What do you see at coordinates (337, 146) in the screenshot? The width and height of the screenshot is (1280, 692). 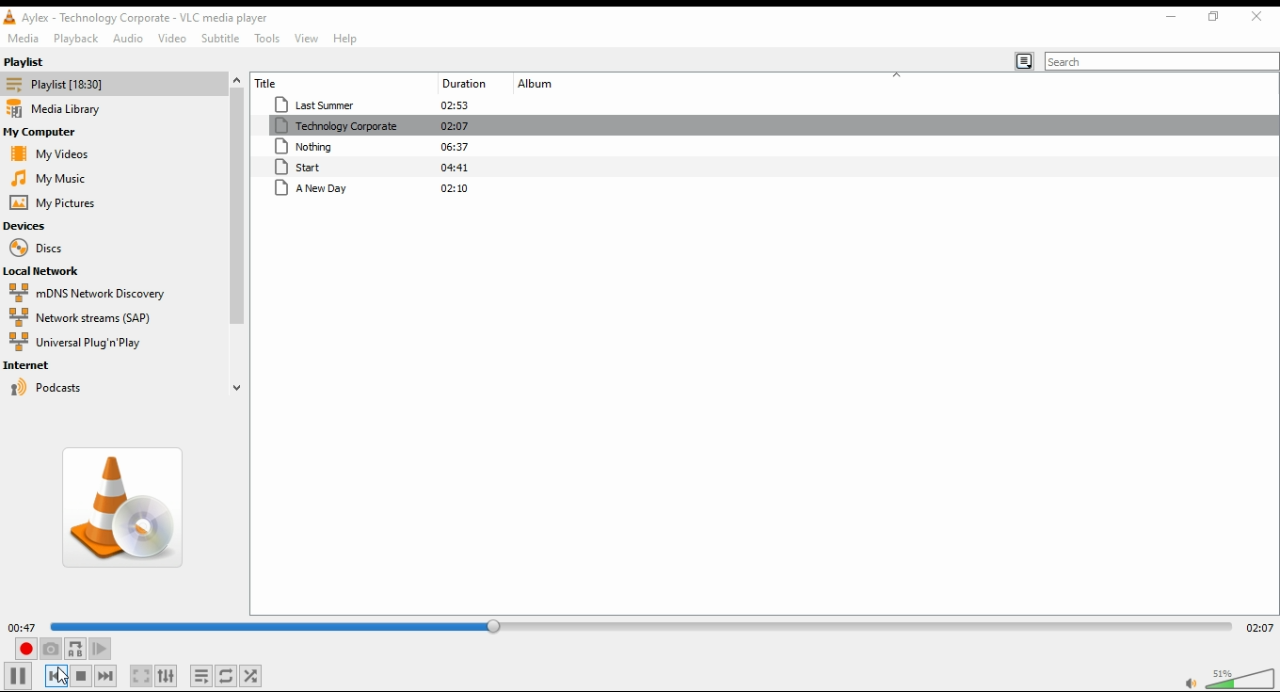 I see `nothing` at bounding box center [337, 146].